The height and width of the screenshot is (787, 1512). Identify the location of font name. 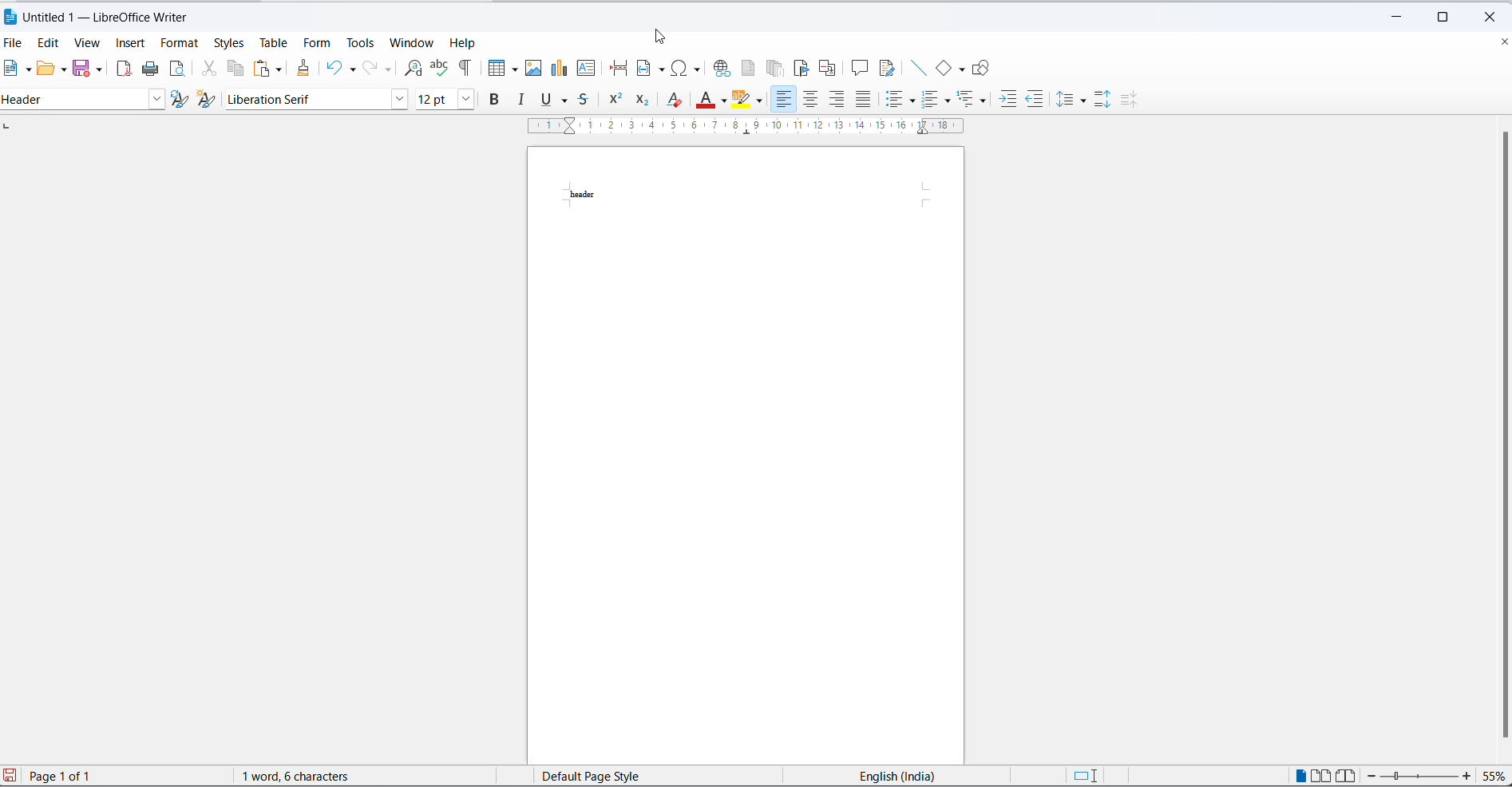
(304, 100).